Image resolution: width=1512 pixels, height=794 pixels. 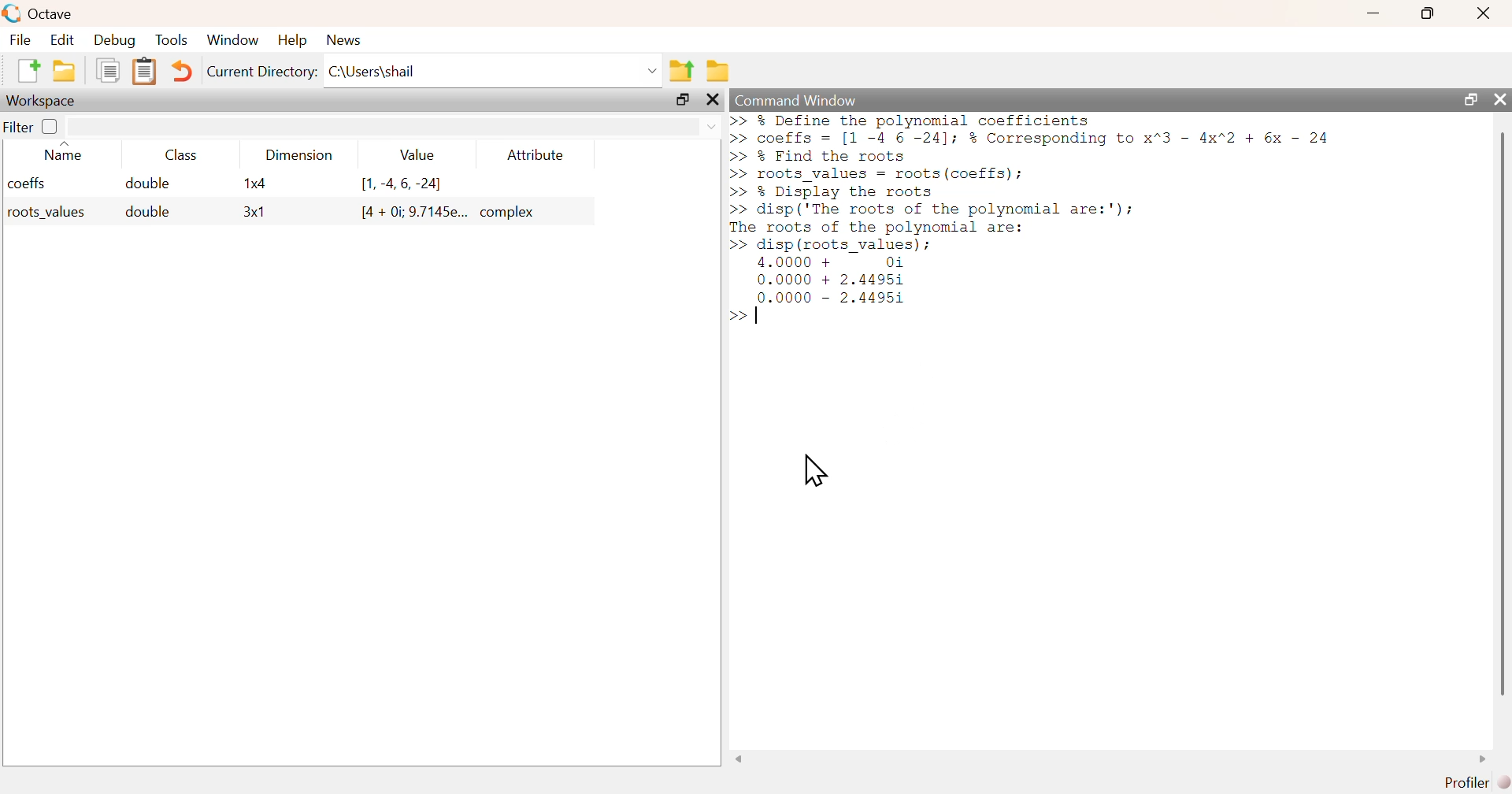 I want to click on Filter, so click(x=32, y=127).